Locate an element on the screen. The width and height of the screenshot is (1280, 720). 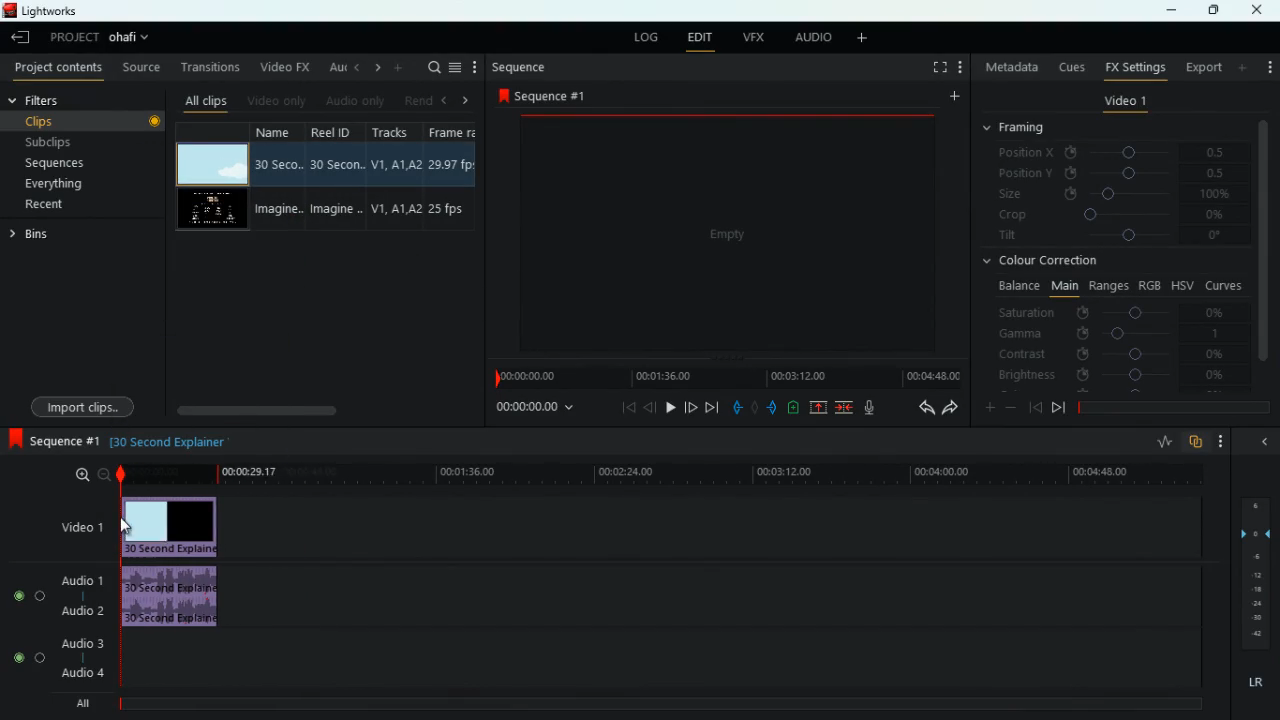
subclips is located at coordinates (54, 141).